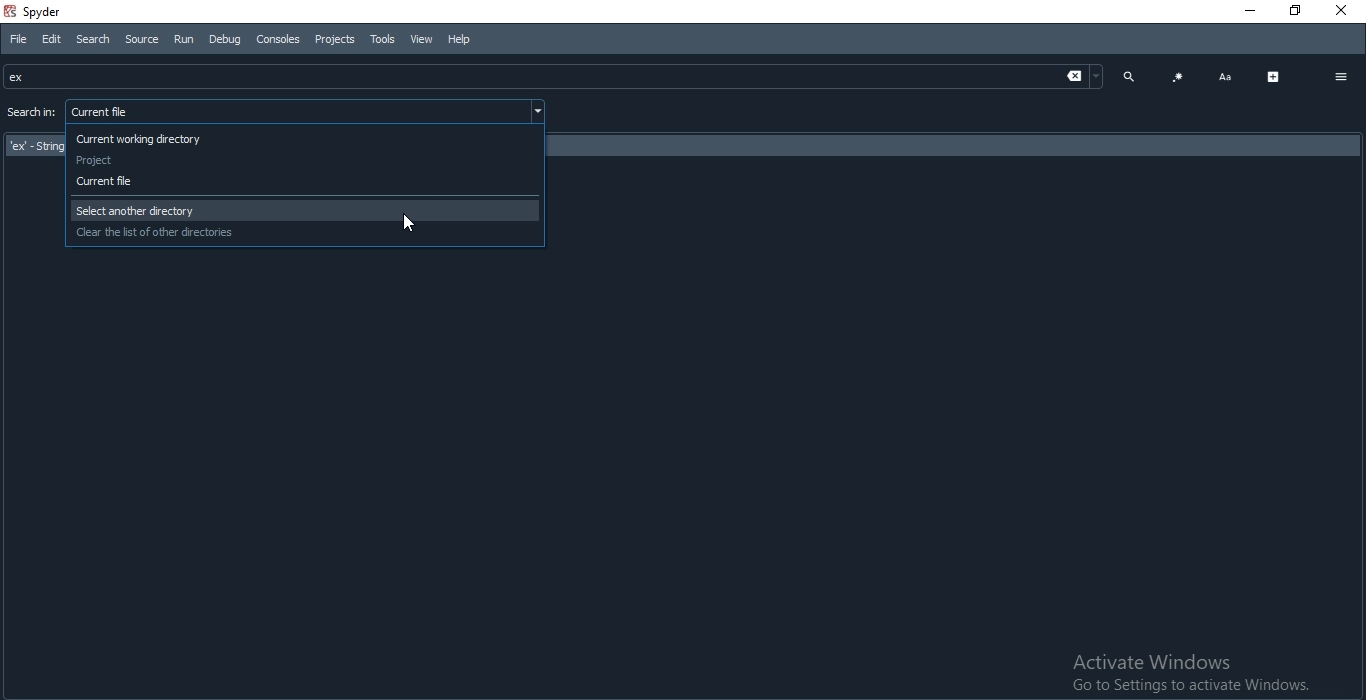  I want to click on Consoles, so click(279, 39).